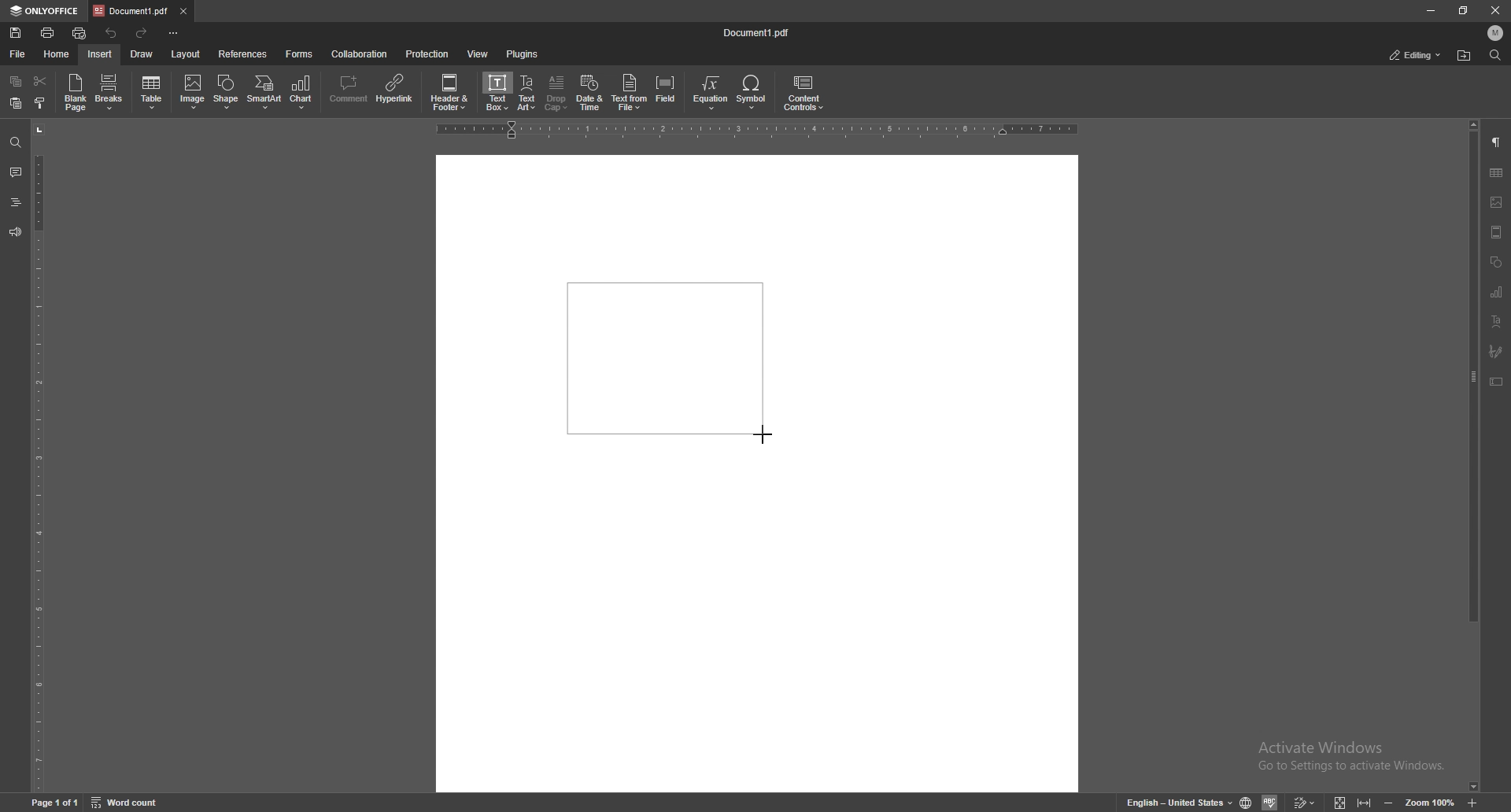  Describe the element at coordinates (1462, 11) in the screenshot. I see `resize` at that location.